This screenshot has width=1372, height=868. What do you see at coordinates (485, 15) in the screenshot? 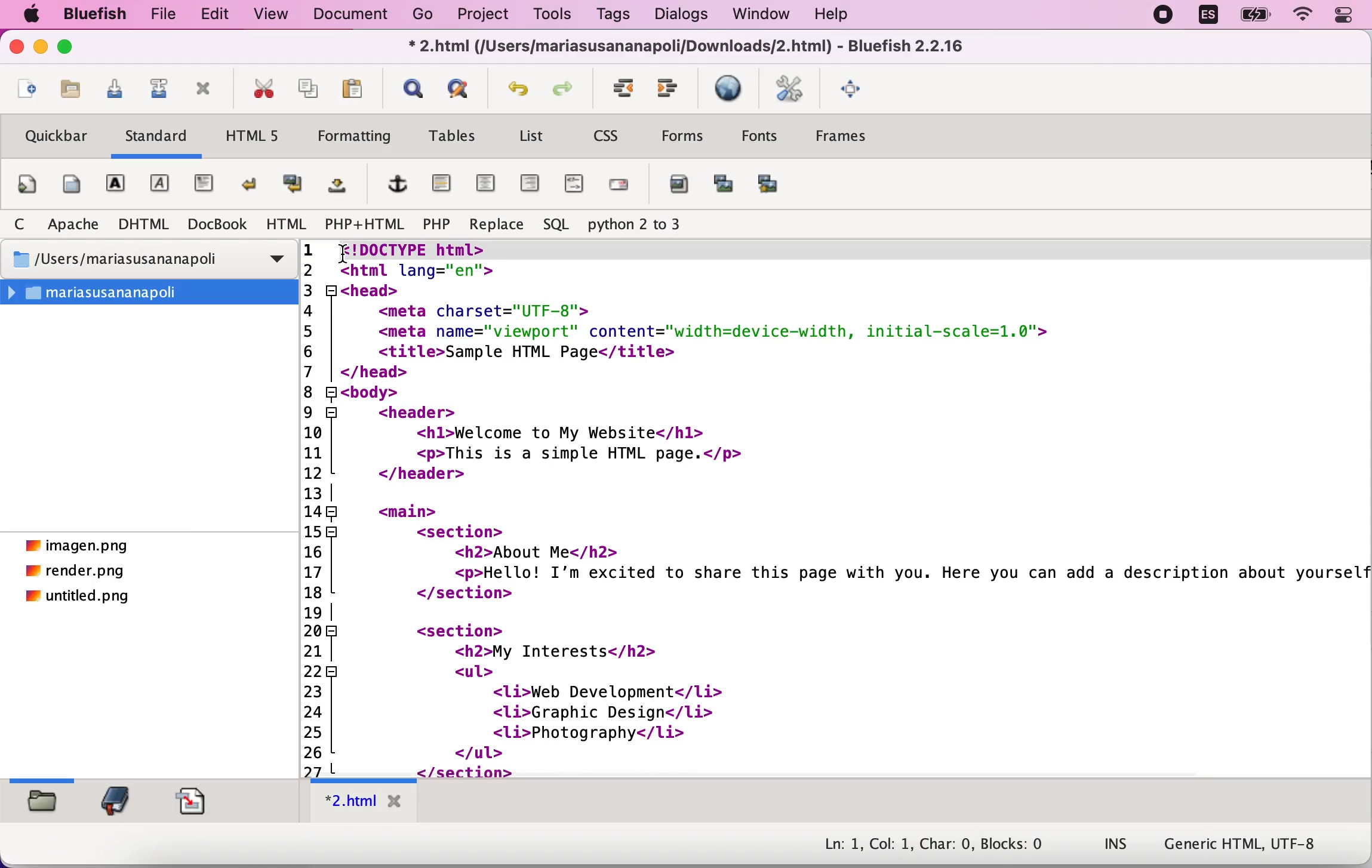
I see `project` at bounding box center [485, 15].